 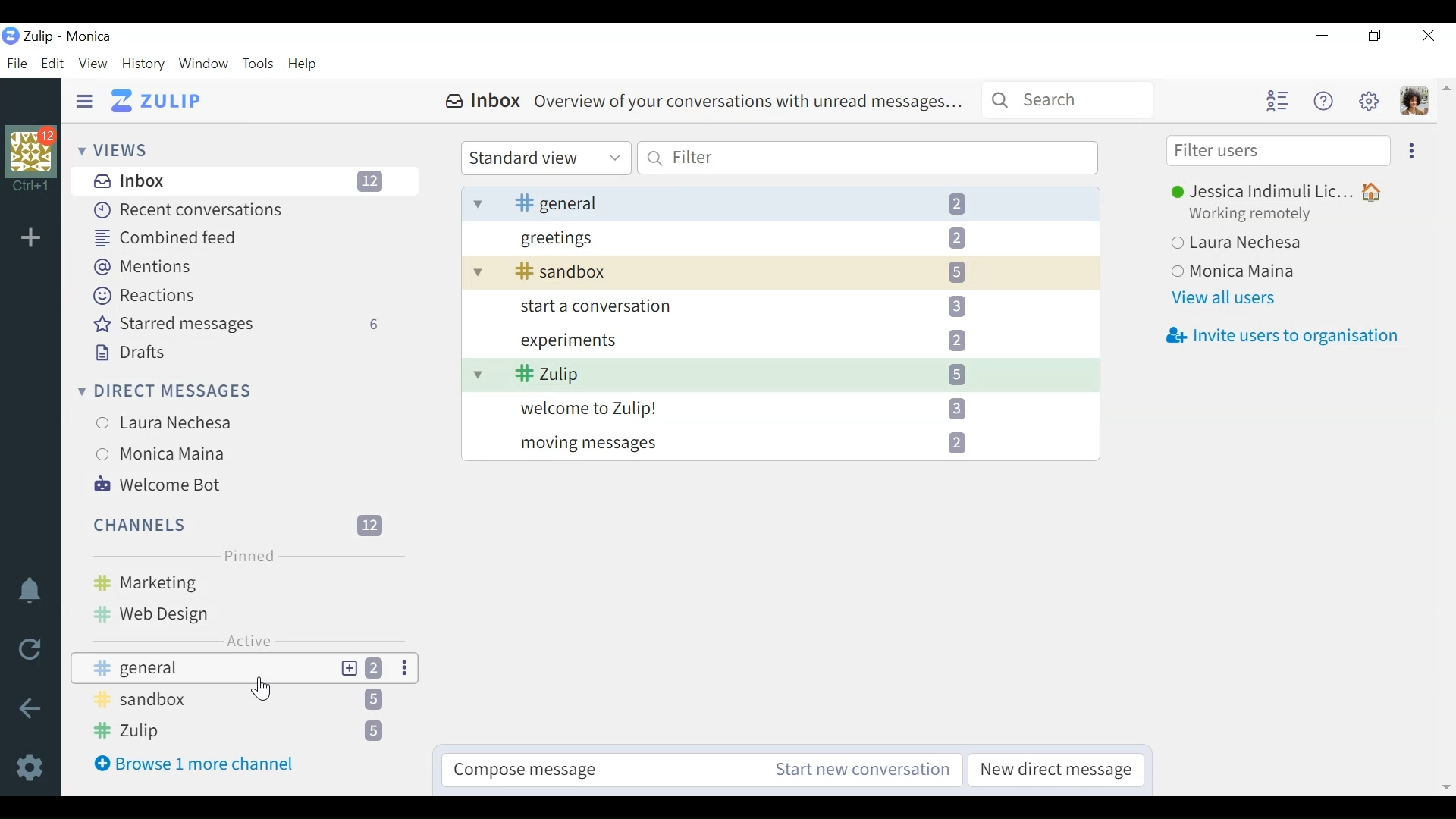 I want to click on Standard View, so click(x=544, y=158).